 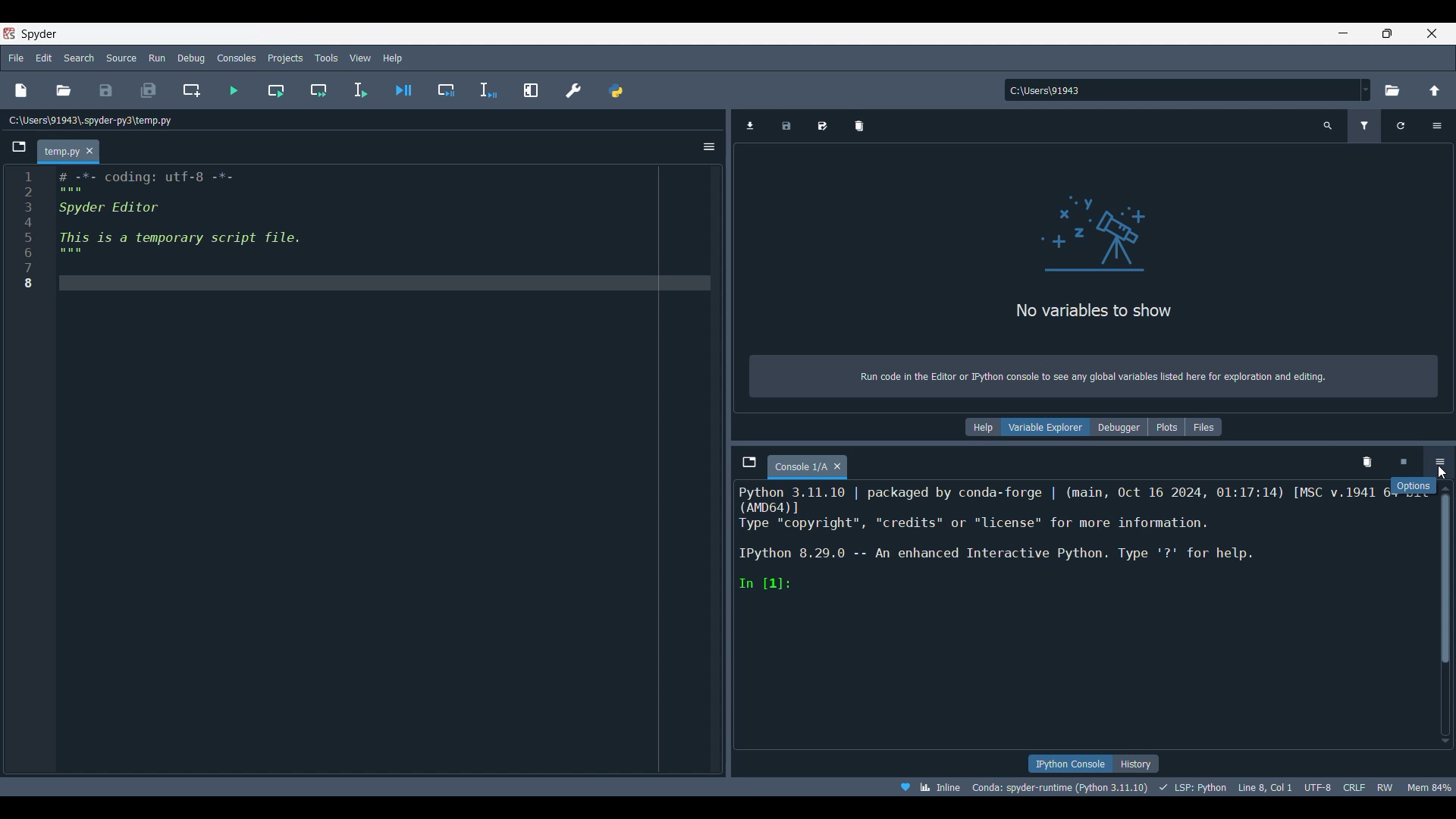 What do you see at coordinates (79, 58) in the screenshot?
I see `Search menu` at bounding box center [79, 58].